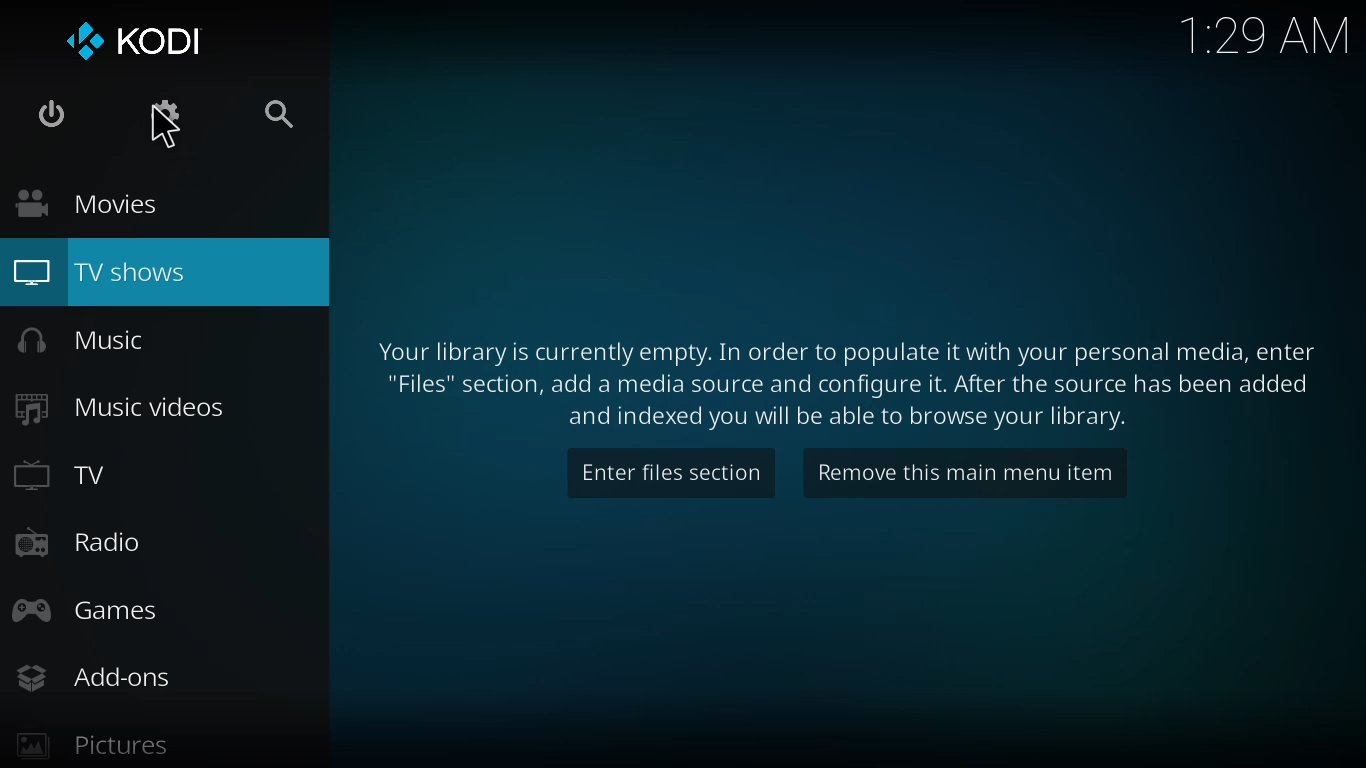  Describe the element at coordinates (964, 475) in the screenshot. I see `remove this main menu item` at that location.